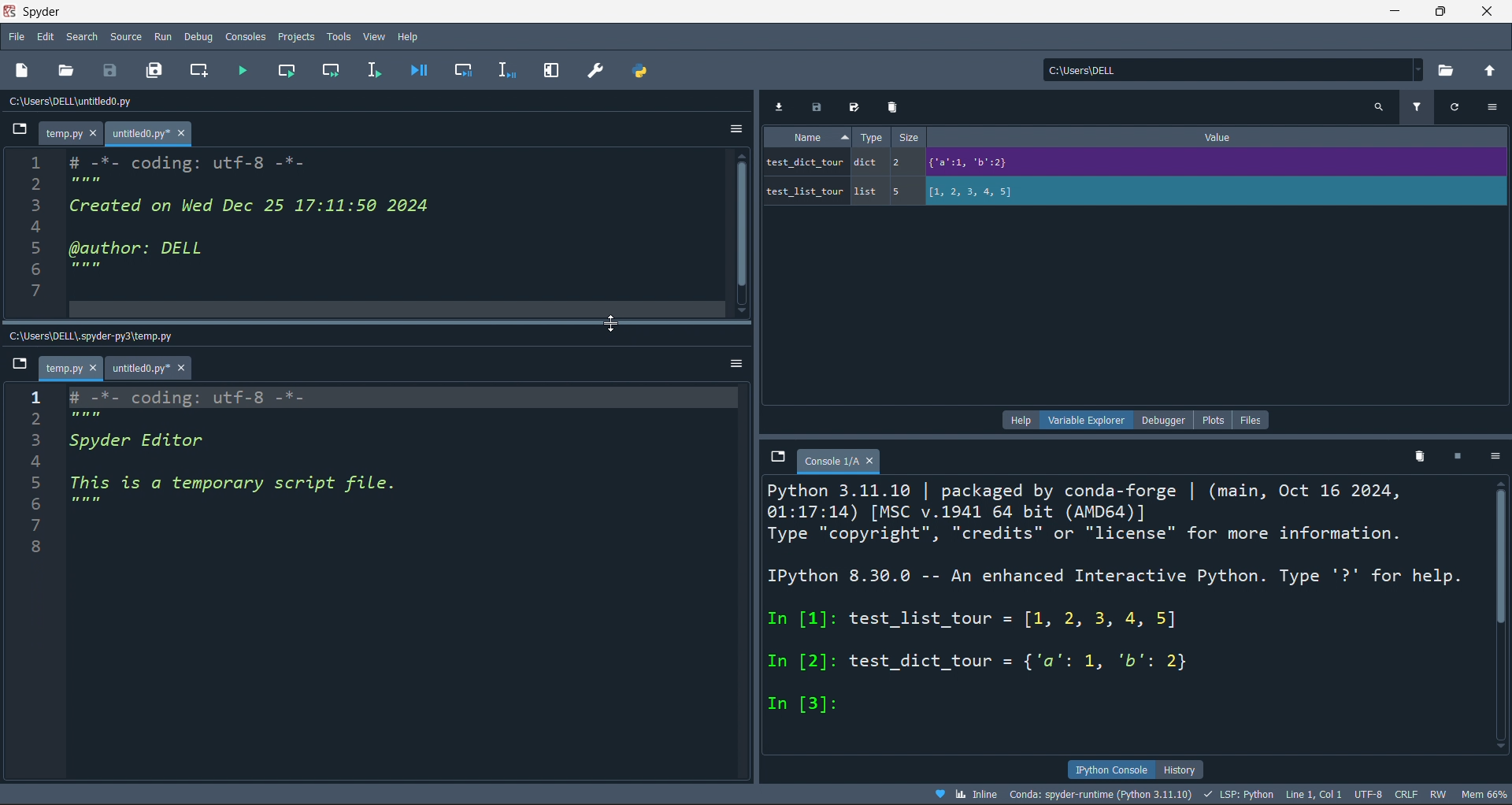 The width and height of the screenshot is (1512, 805). I want to click on maximize/resize, so click(1441, 13).